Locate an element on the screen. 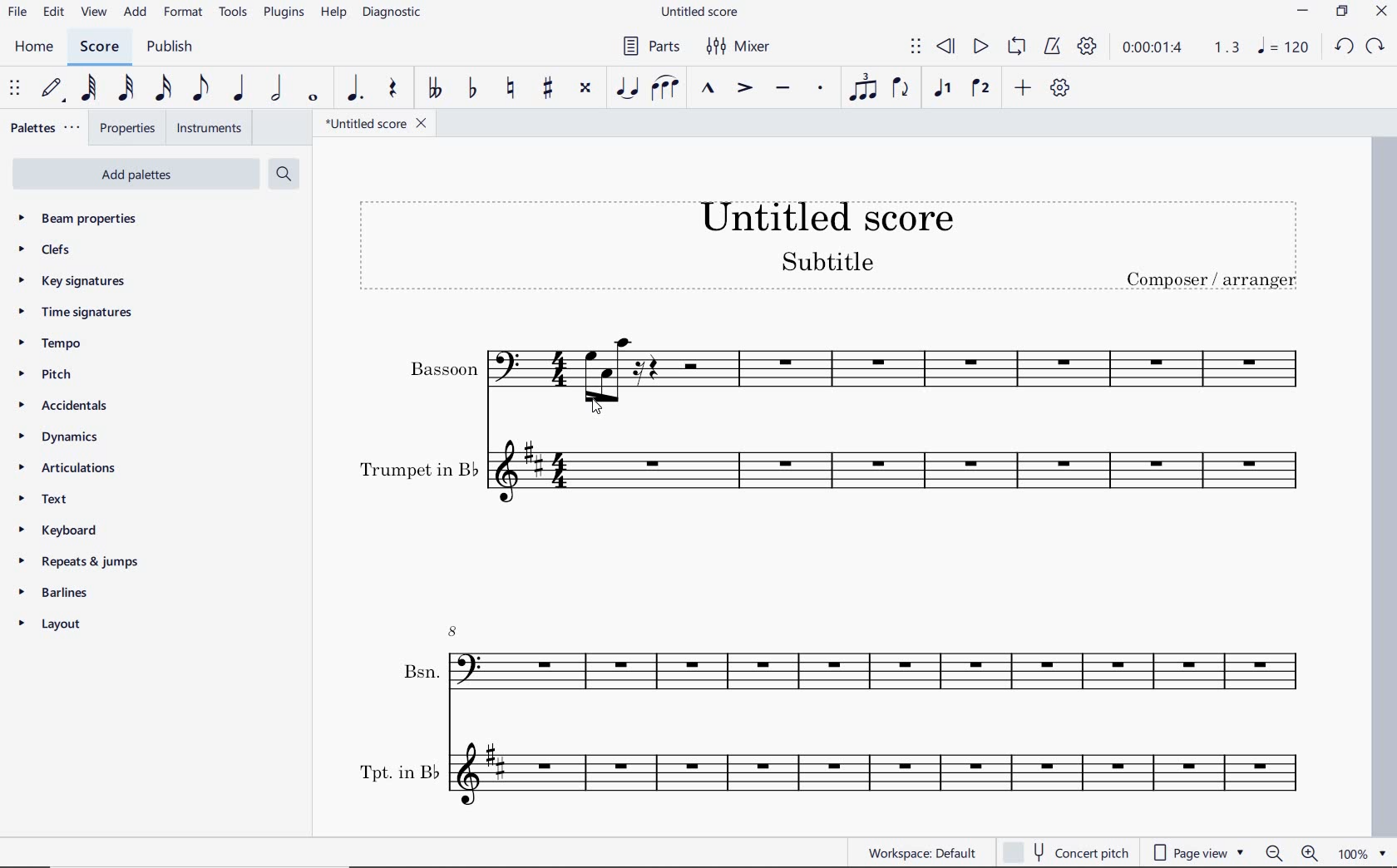 Image resolution: width=1397 pixels, height=868 pixels. toggle sharp is located at coordinates (547, 89).